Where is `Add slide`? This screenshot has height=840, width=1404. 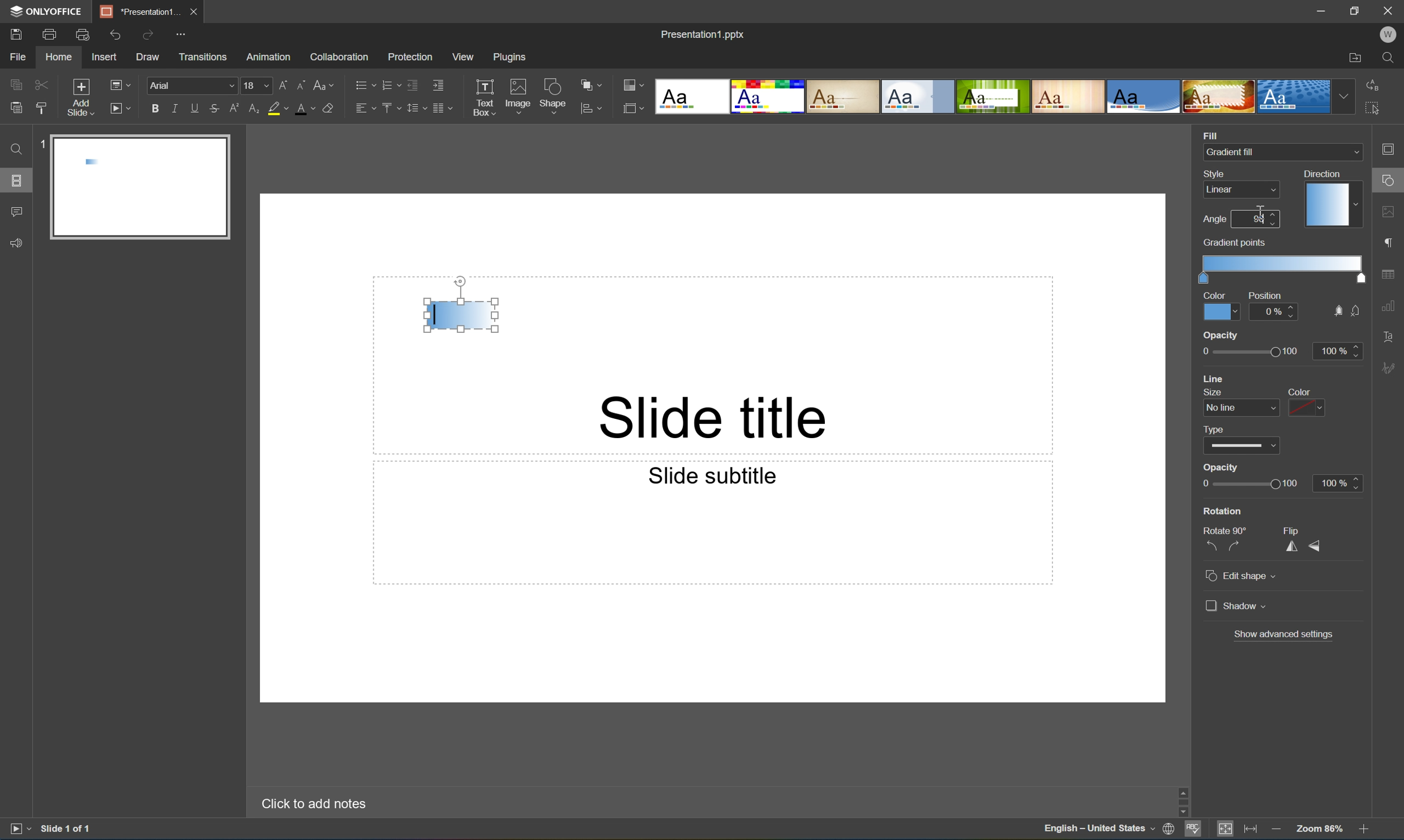
Add slide is located at coordinates (78, 98).